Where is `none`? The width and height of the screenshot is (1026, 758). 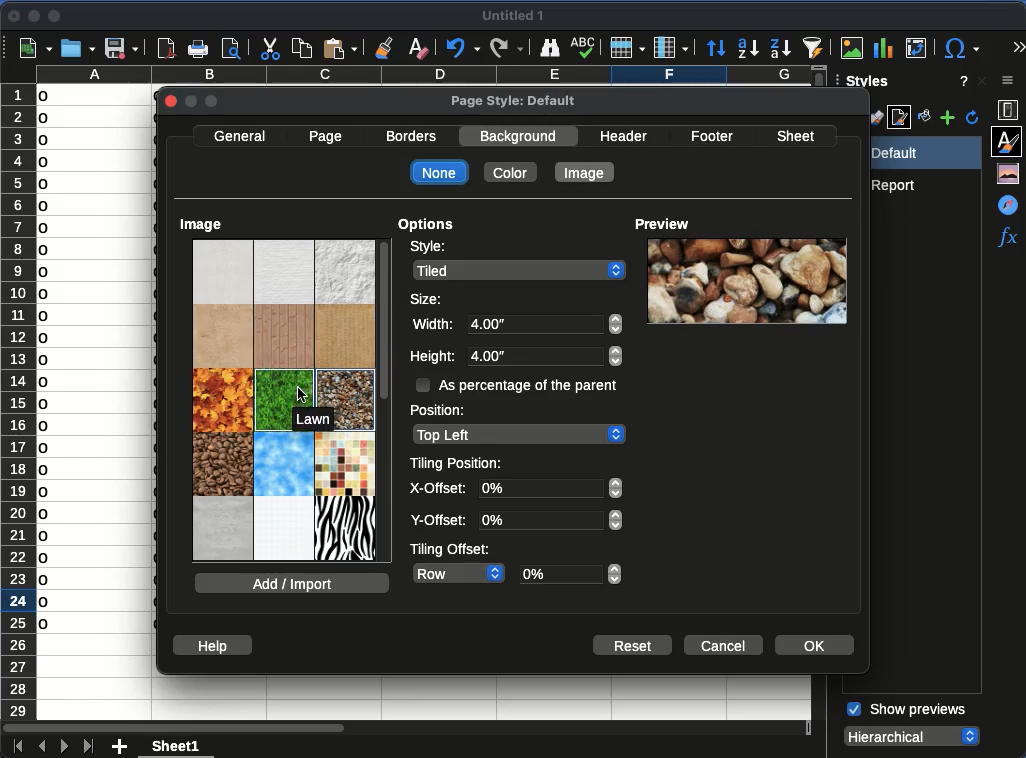
none is located at coordinates (439, 172).